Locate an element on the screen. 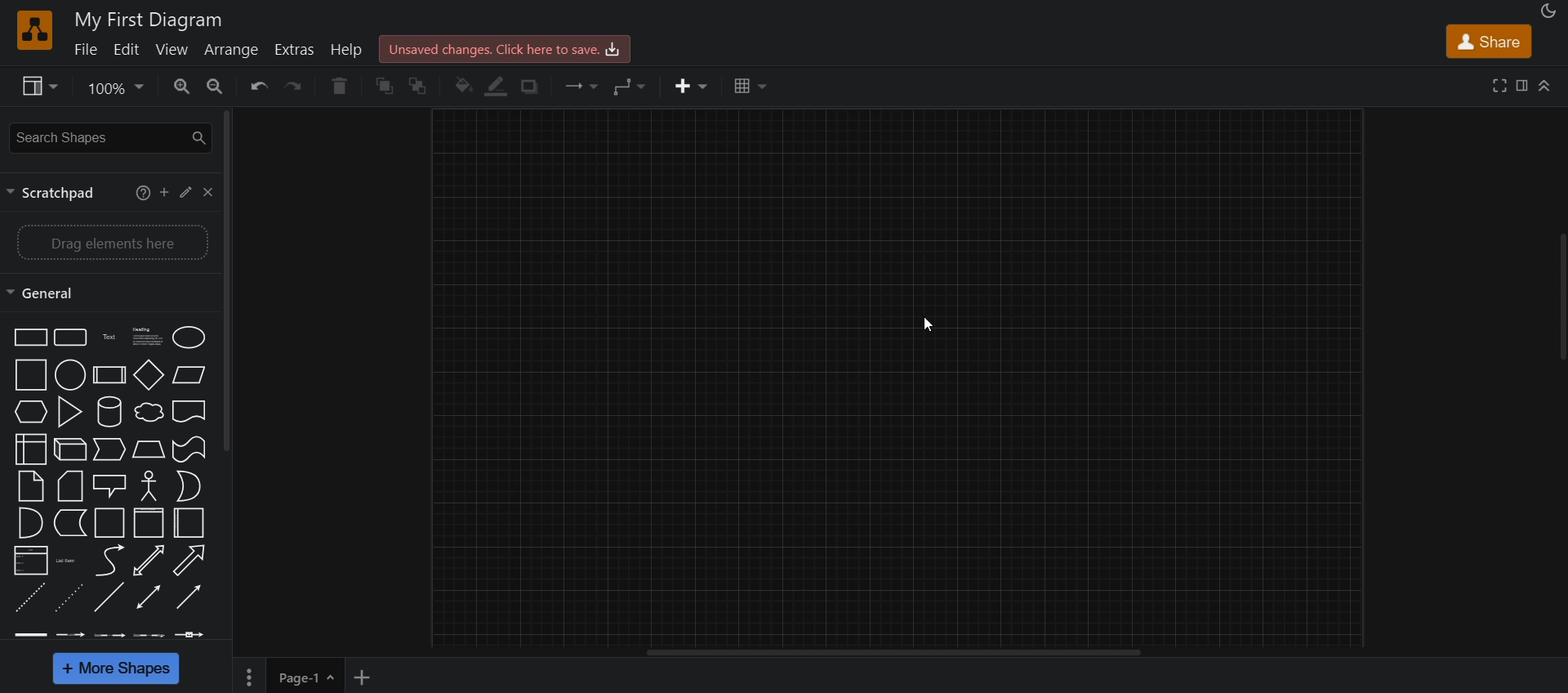 The image size is (1568, 693). arrange is located at coordinates (232, 50).